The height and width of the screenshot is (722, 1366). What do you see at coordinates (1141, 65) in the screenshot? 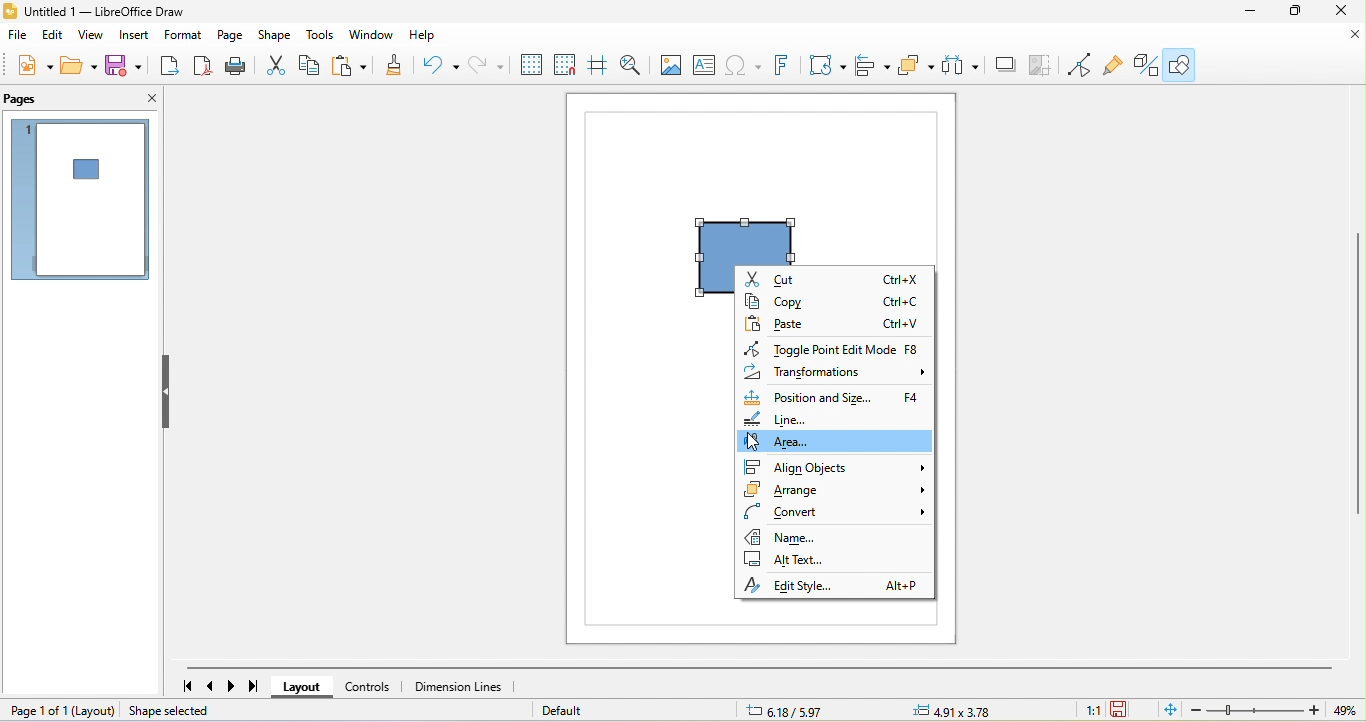
I see `toggle extrusion` at bounding box center [1141, 65].